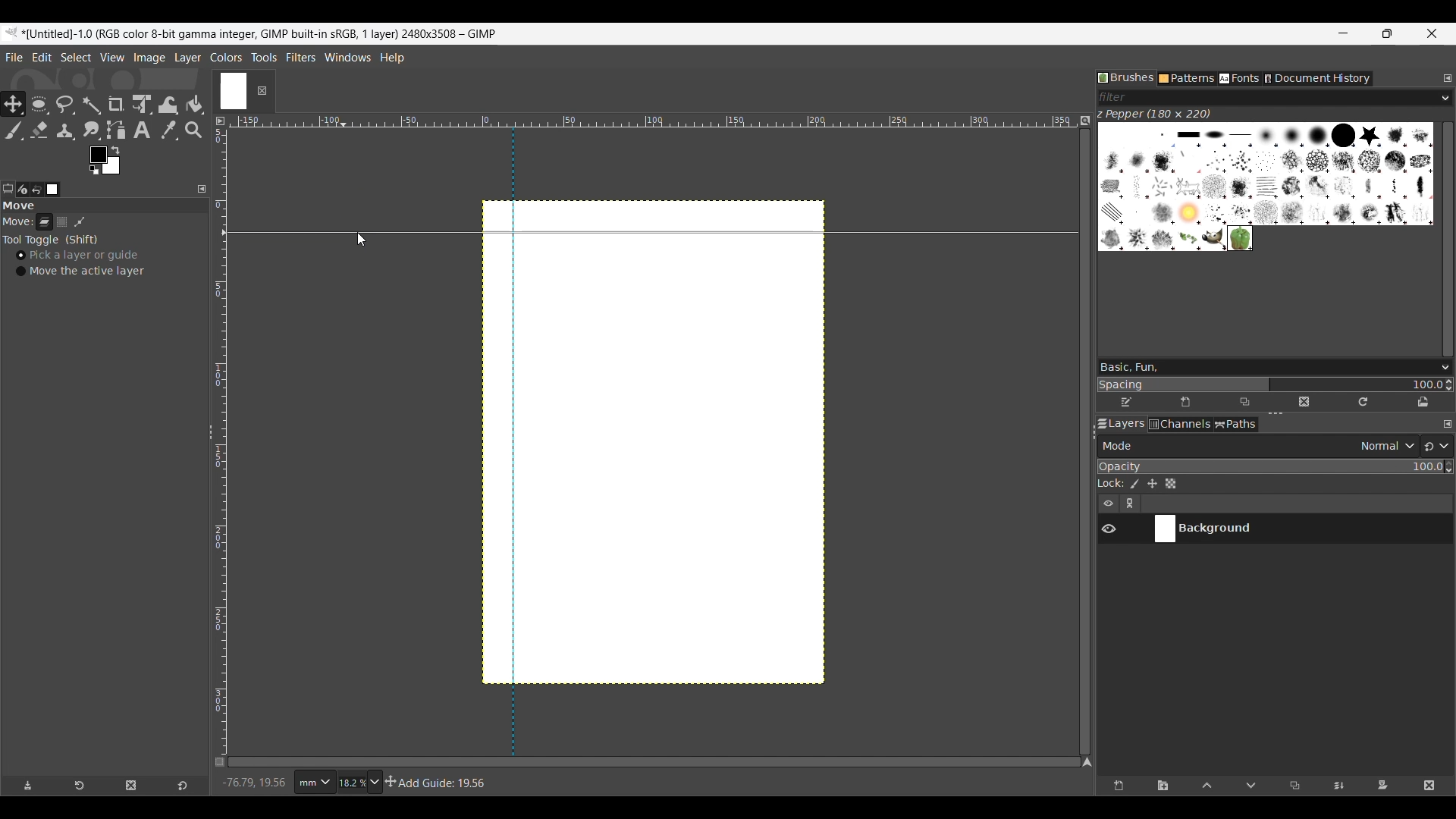 The width and height of the screenshot is (1456, 819). Describe the element at coordinates (362, 239) in the screenshot. I see `Cursor position unchanged` at that location.